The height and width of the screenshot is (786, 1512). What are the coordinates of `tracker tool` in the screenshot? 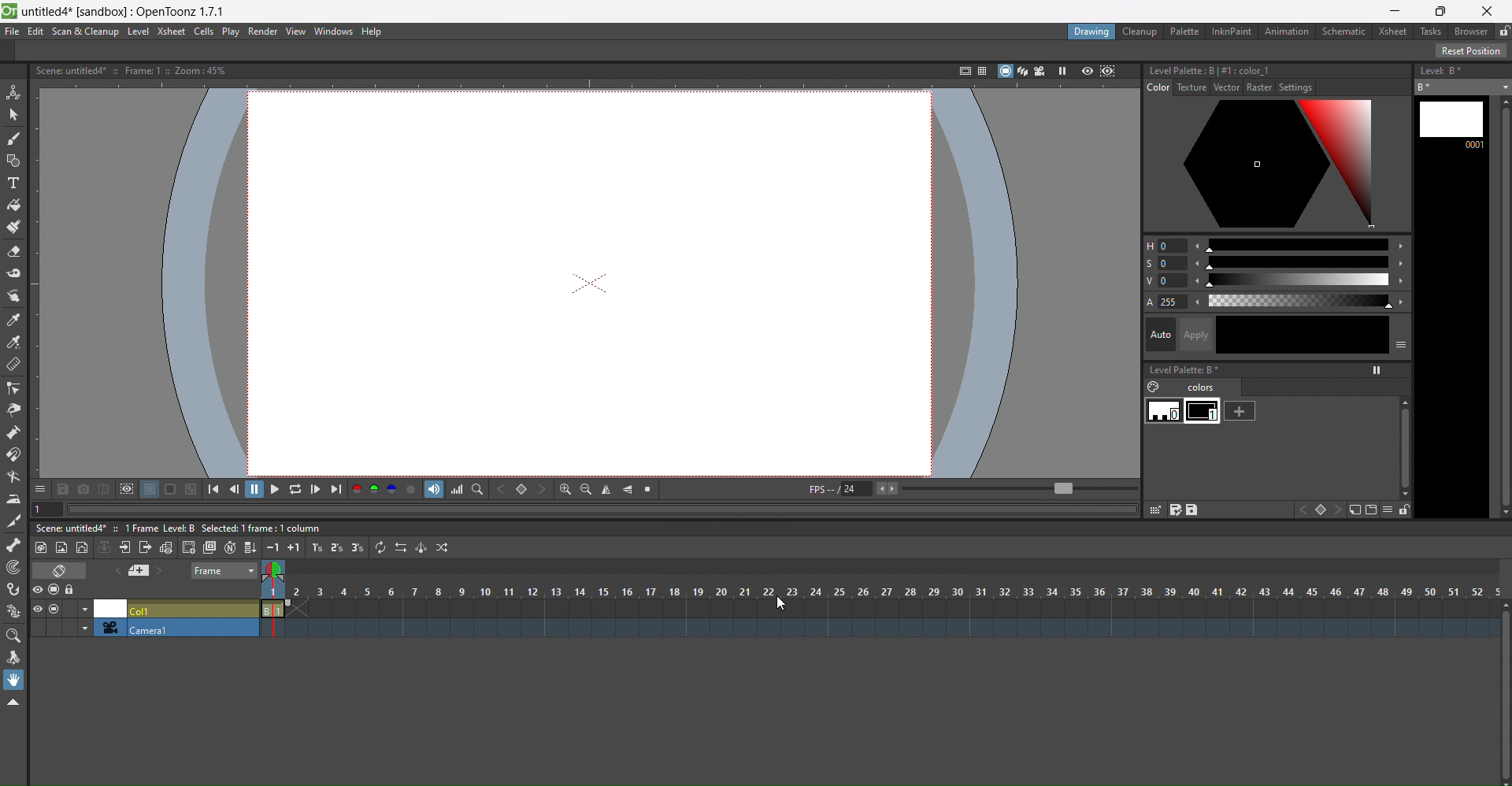 It's located at (13, 569).